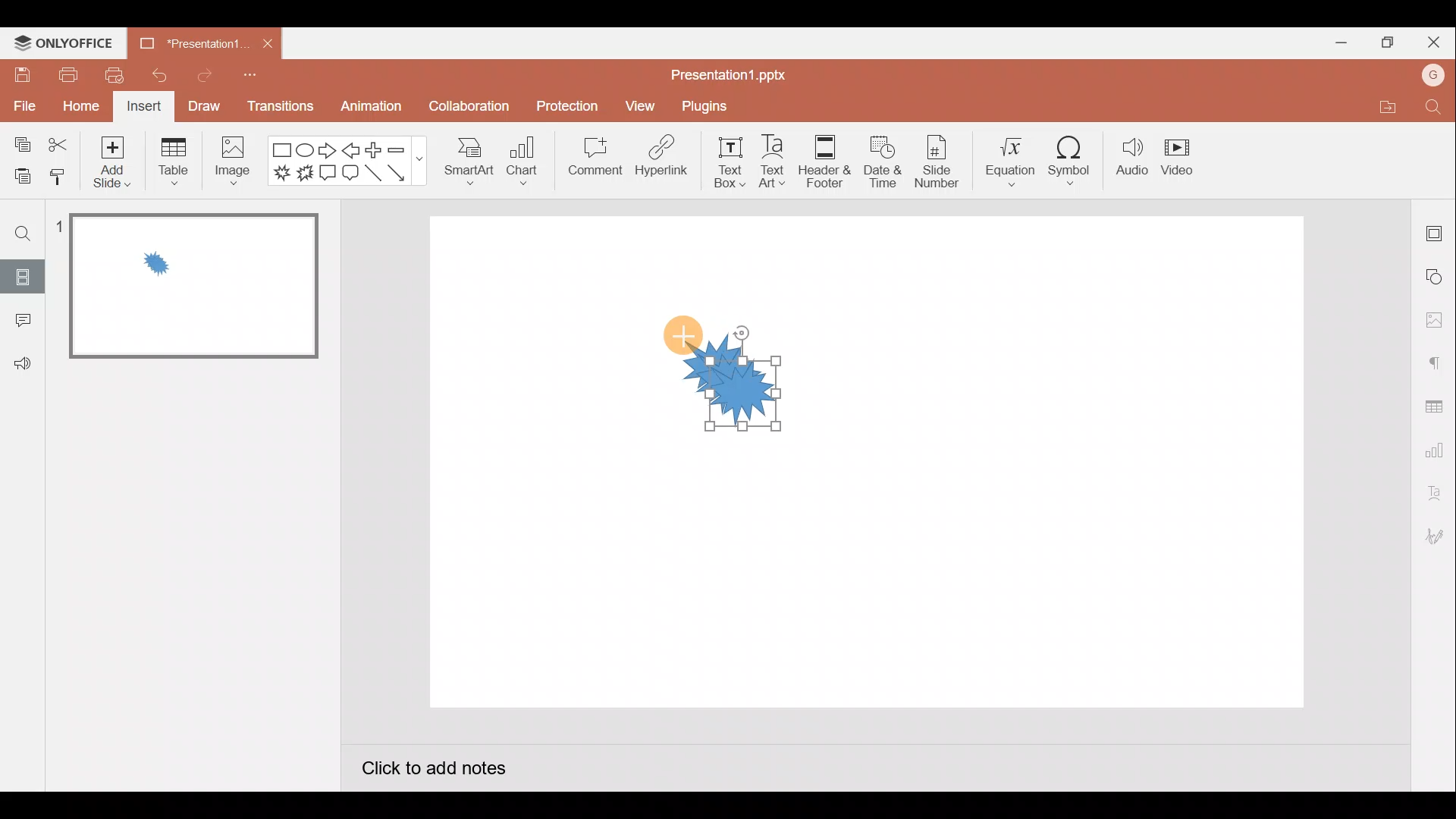 The height and width of the screenshot is (819, 1456). Describe the element at coordinates (76, 108) in the screenshot. I see `Home` at that location.